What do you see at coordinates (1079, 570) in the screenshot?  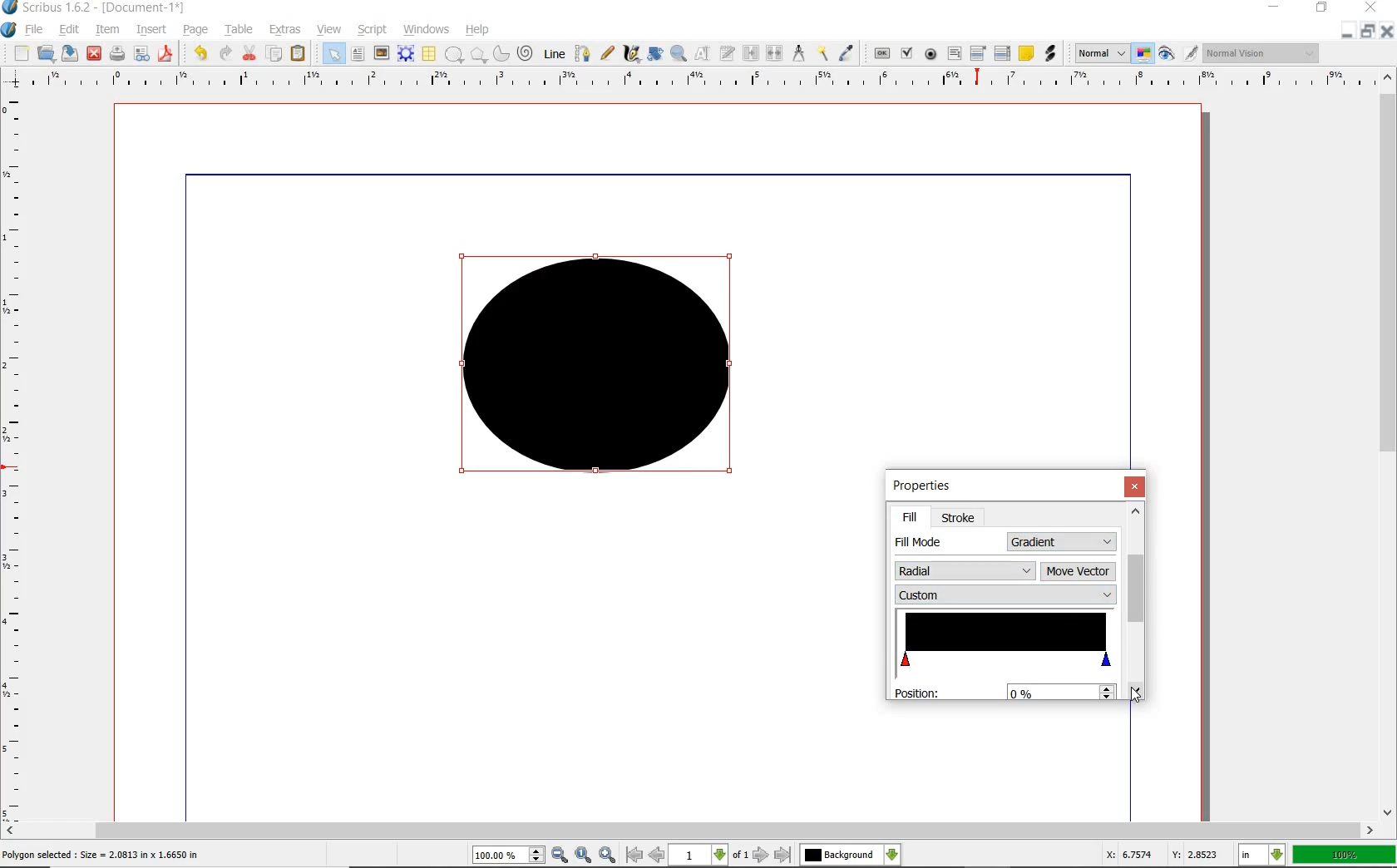 I see `move vector` at bounding box center [1079, 570].